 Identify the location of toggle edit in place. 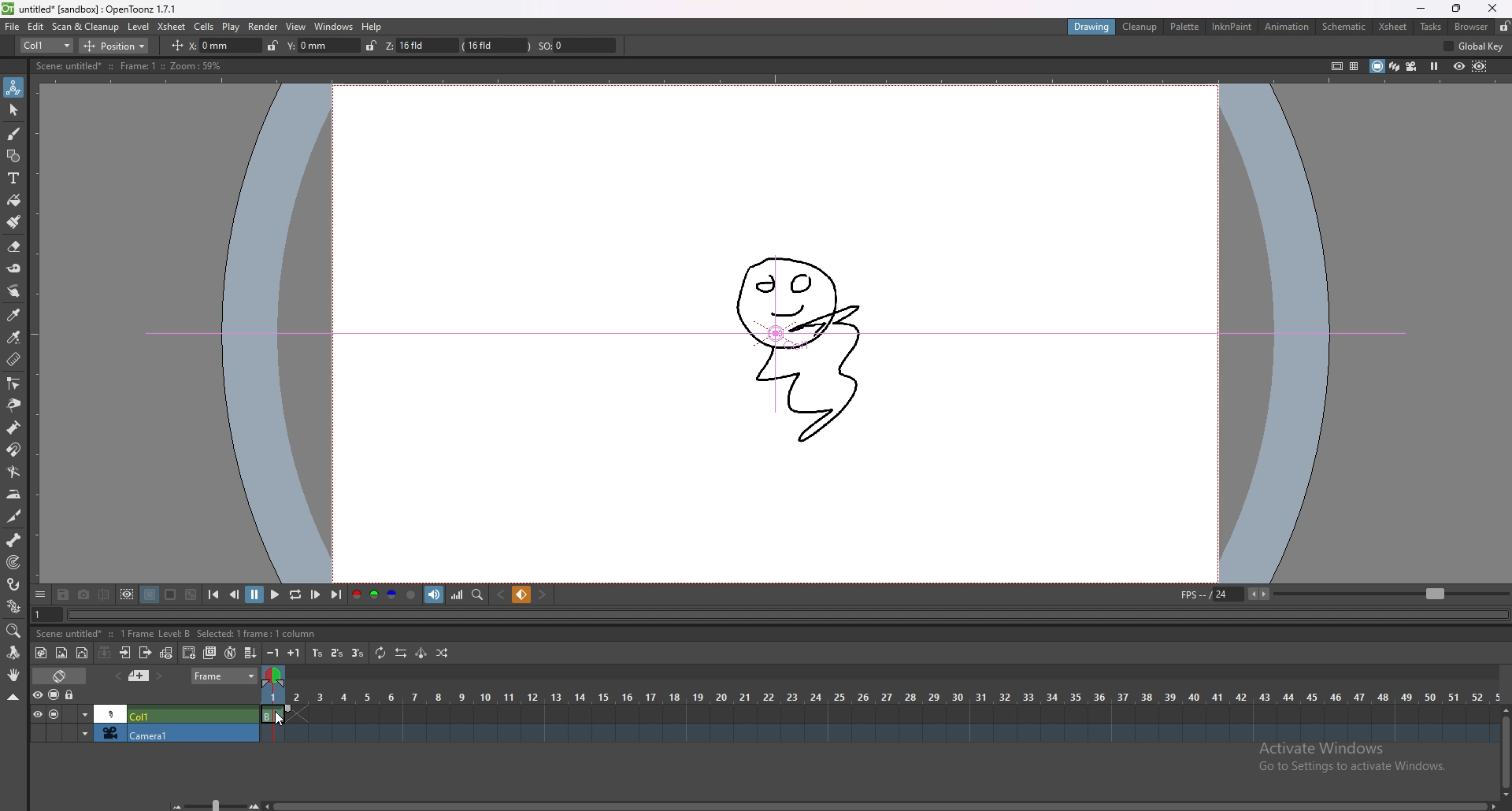
(165, 653).